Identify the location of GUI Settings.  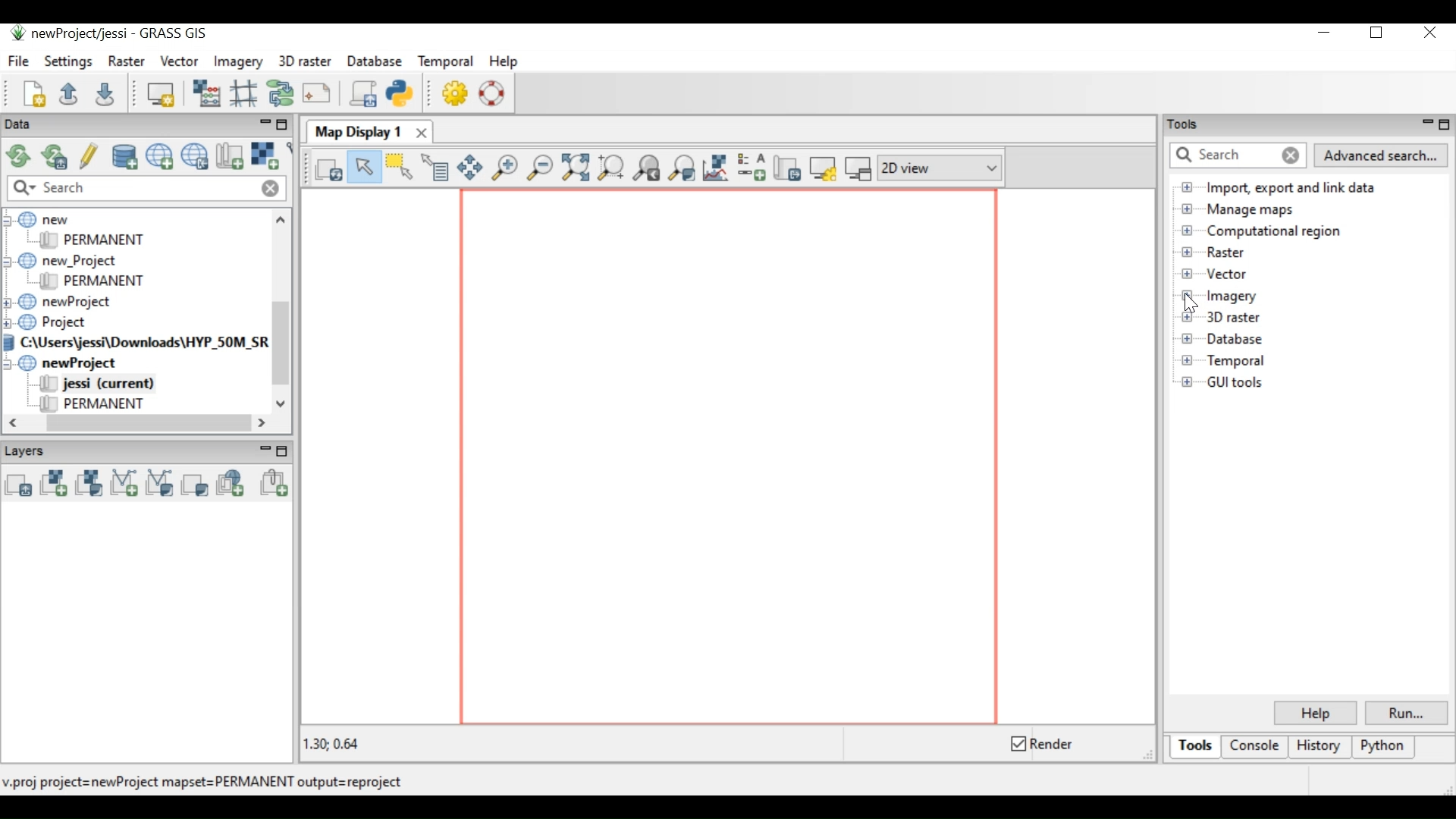
(453, 95).